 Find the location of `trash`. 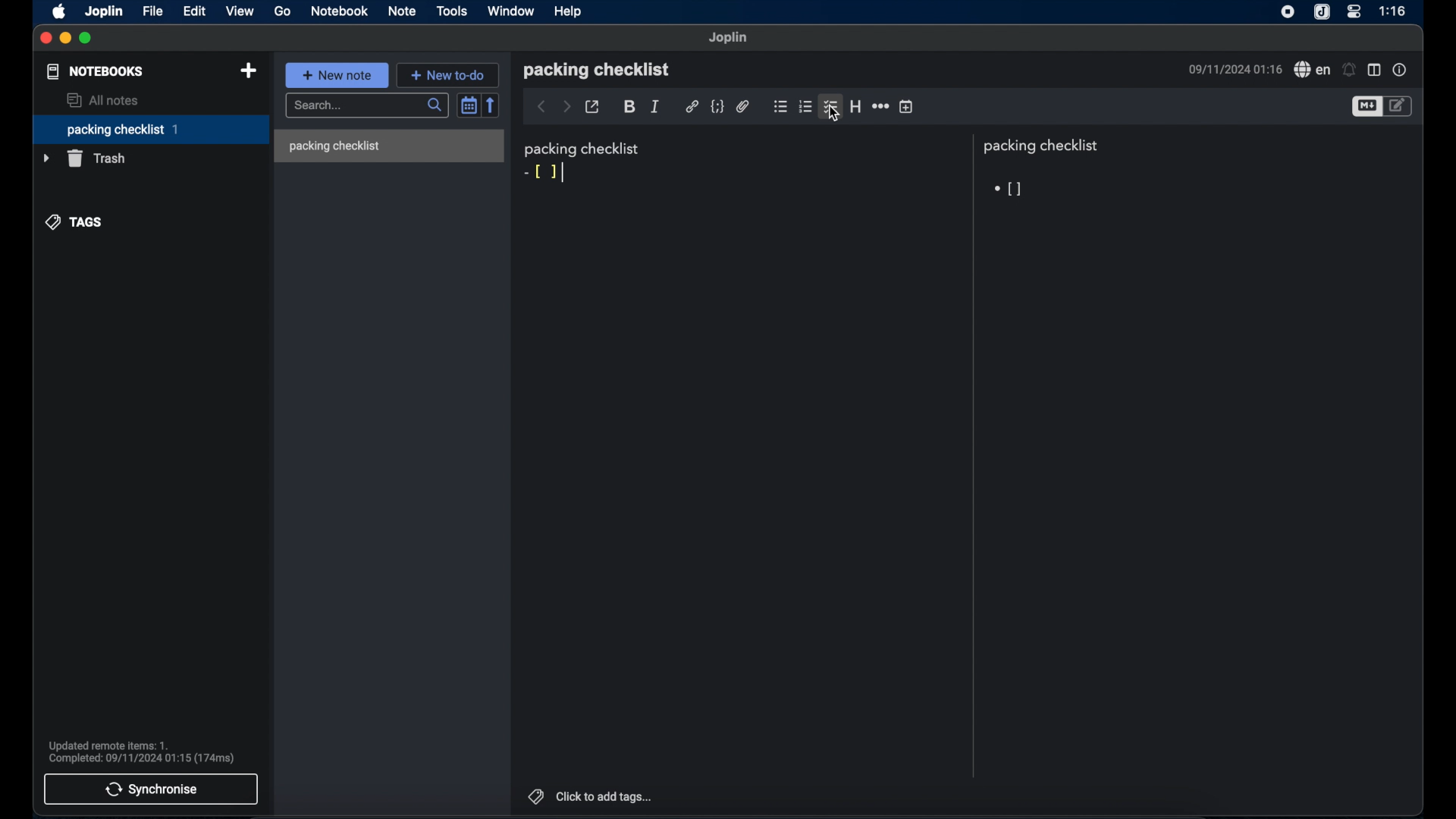

trash is located at coordinates (86, 158).